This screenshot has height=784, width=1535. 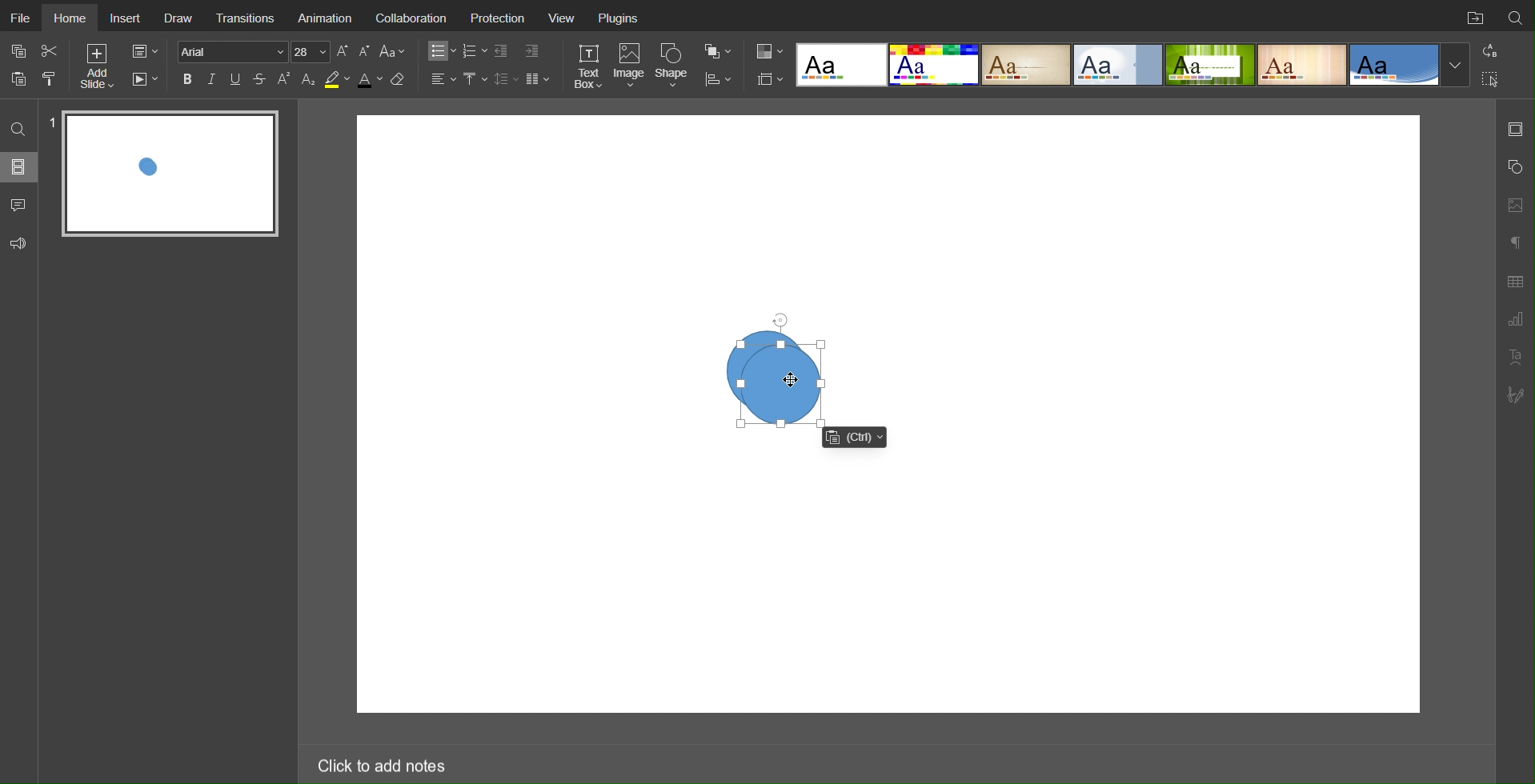 I want to click on Shape Settings, so click(x=1514, y=167).